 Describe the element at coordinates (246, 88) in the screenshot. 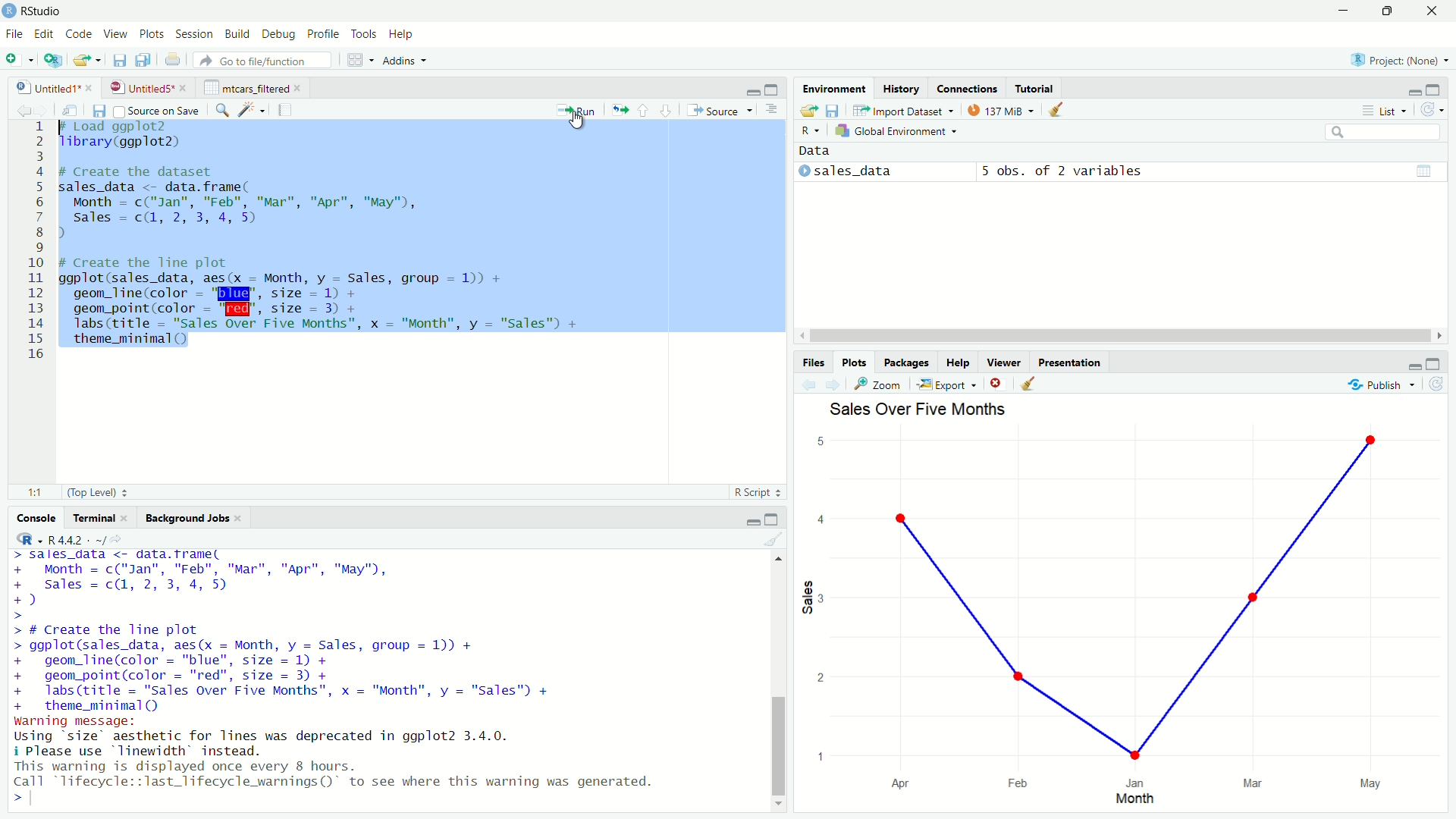

I see `mtcars_filtered` at that location.